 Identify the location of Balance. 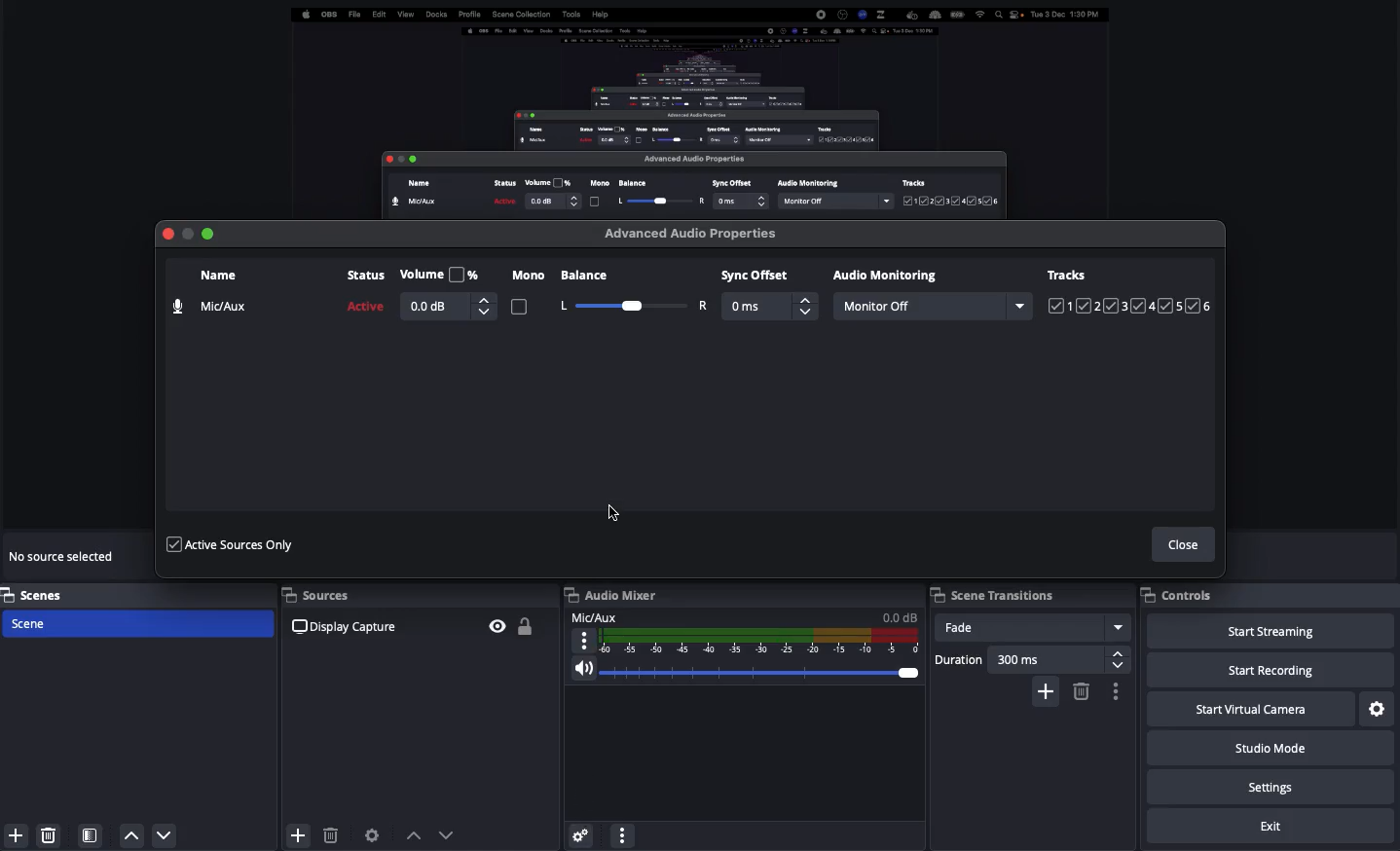
(632, 289).